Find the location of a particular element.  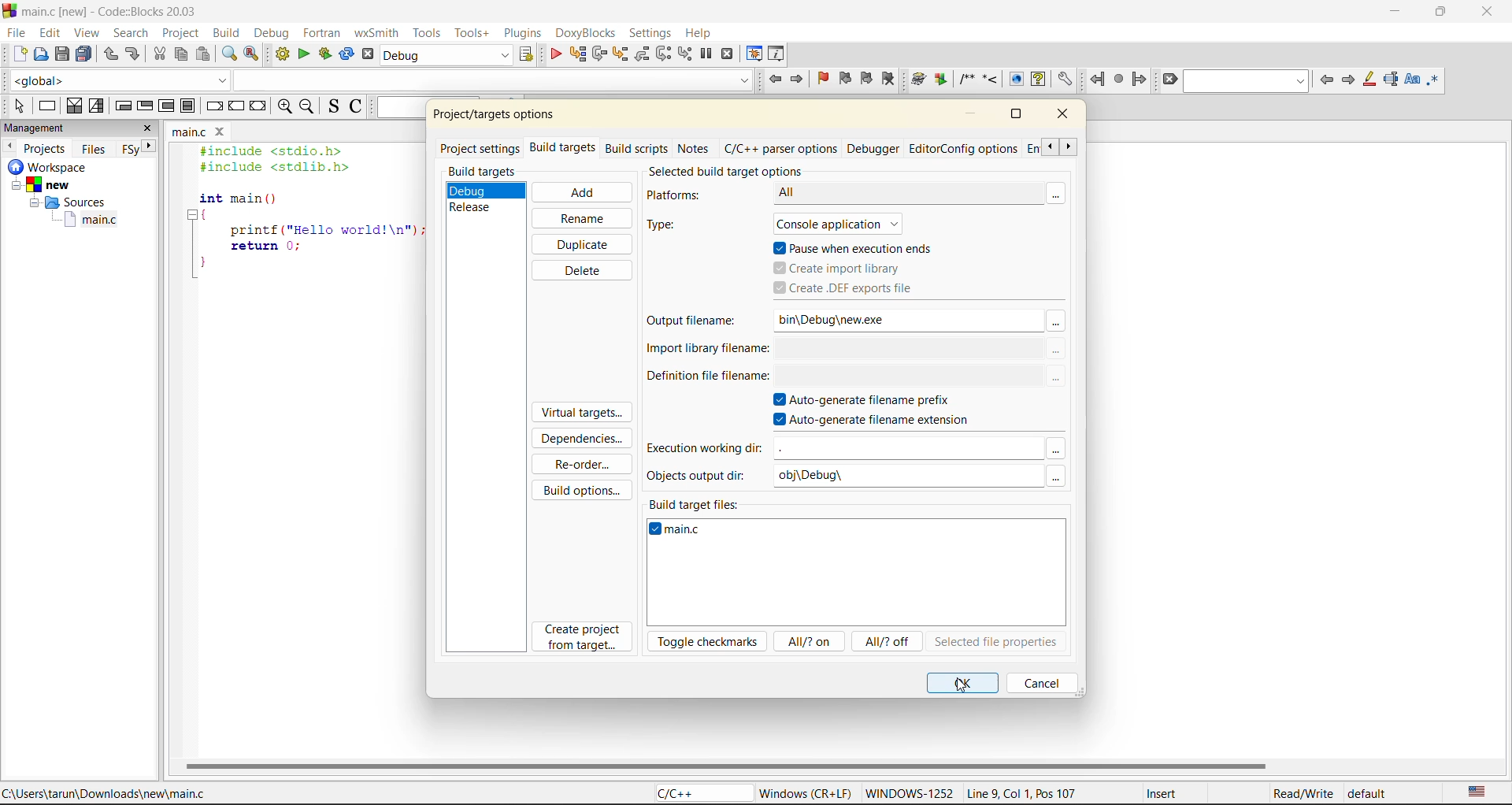

More is located at coordinates (1063, 192).